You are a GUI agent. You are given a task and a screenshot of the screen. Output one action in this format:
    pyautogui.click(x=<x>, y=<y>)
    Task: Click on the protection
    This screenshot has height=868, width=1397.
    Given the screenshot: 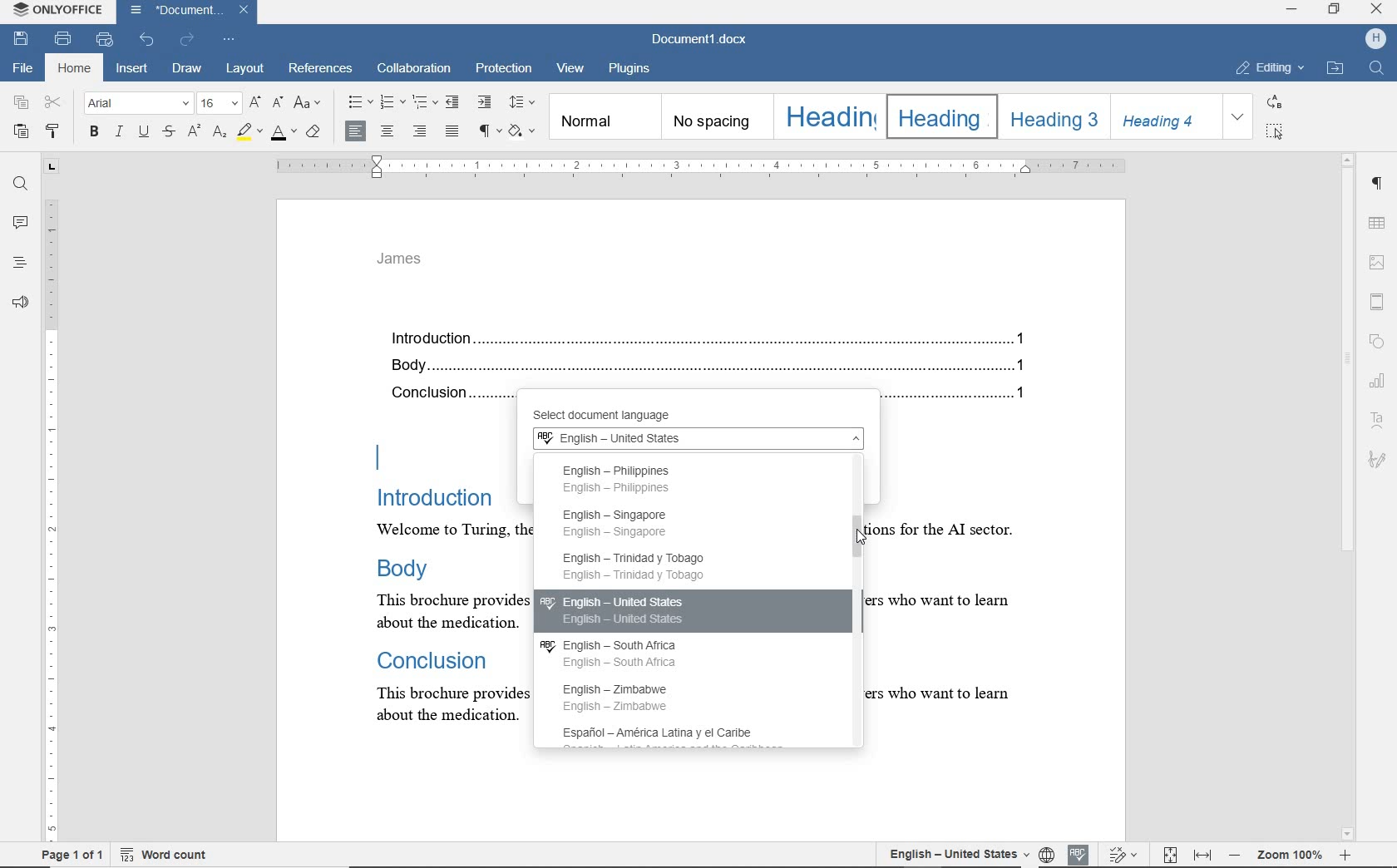 What is the action you would take?
    pyautogui.click(x=504, y=71)
    